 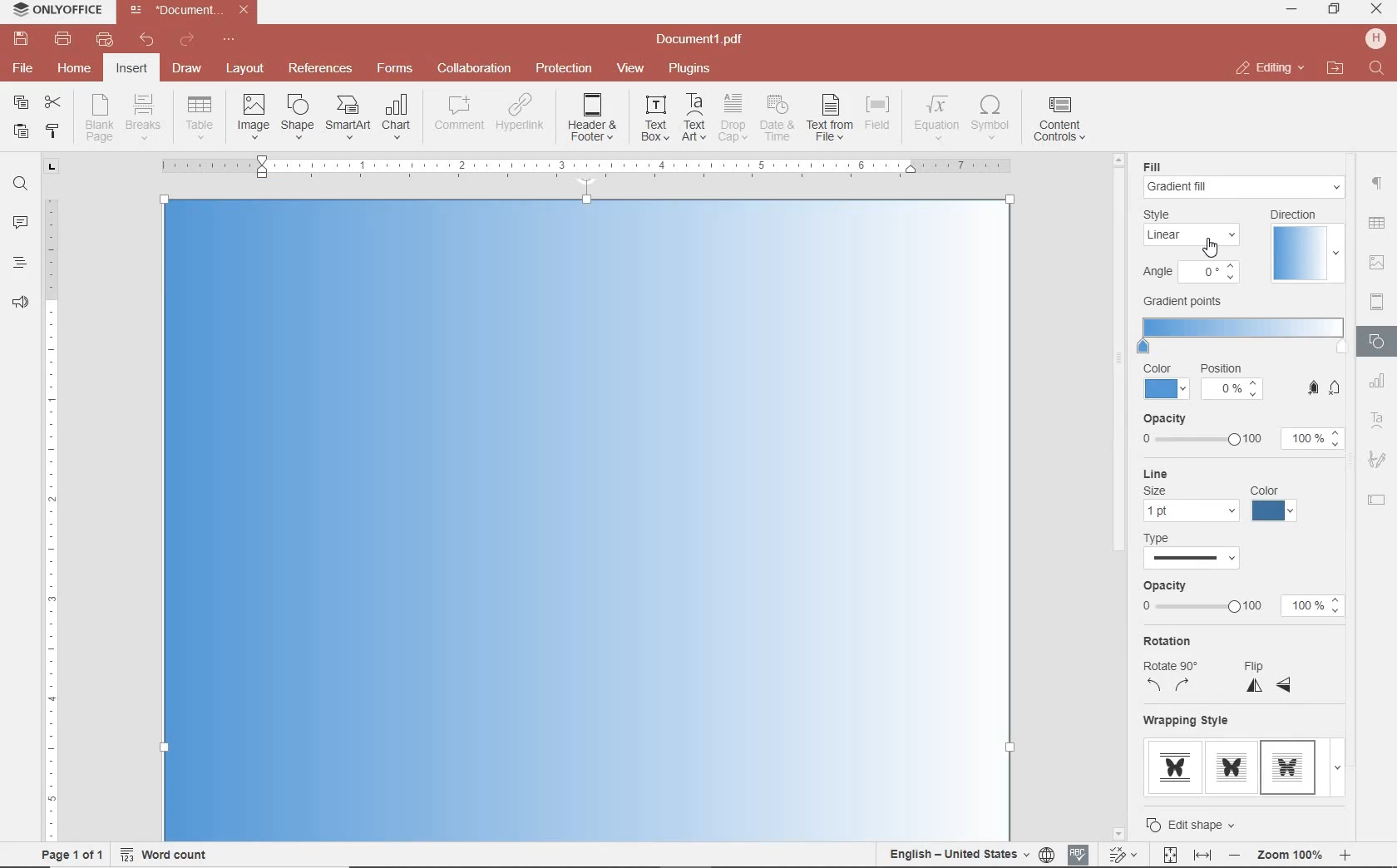 I want to click on reference, so click(x=318, y=69).